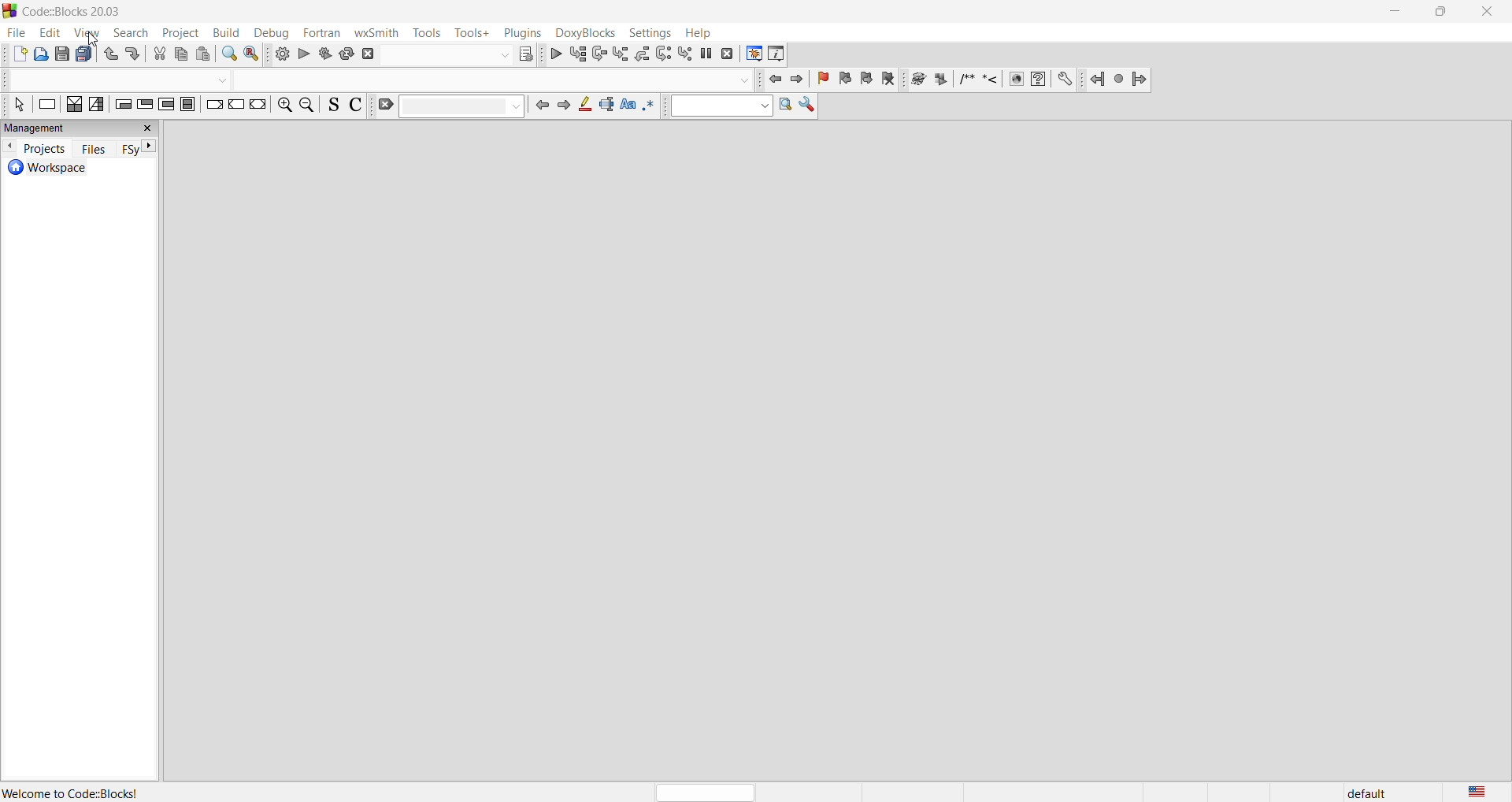 The width and height of the screenshot is (1512, 802). Describe the element at coordinates (664, 53) in the screenshot. I see `next instruction` at that location.